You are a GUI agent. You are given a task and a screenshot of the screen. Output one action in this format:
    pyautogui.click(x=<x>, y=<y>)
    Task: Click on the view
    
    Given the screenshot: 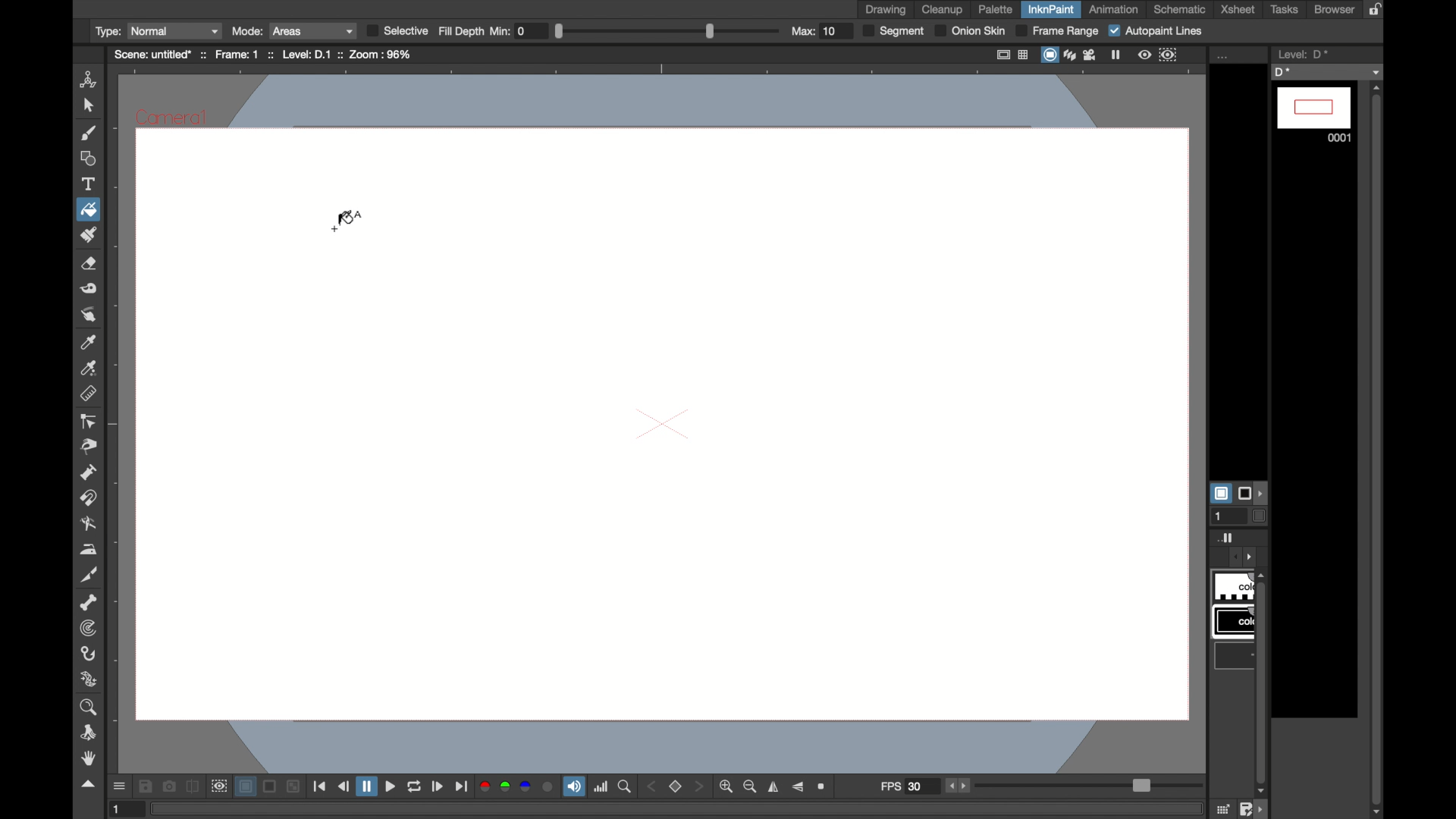 What is the action you would take?
    pyautogui.click(x=1146, y=55)
    